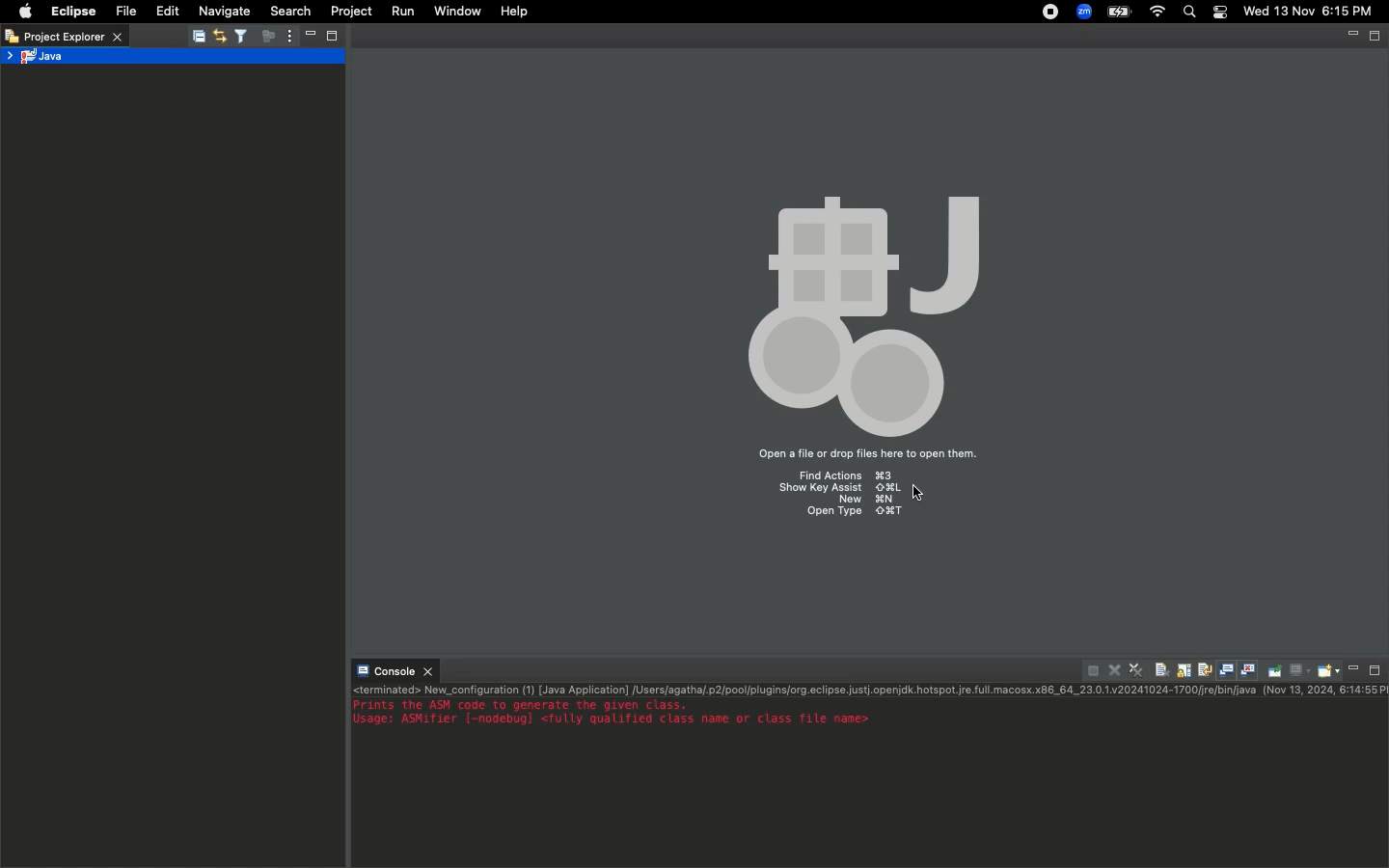  I want to click on close, so click(430, 672).